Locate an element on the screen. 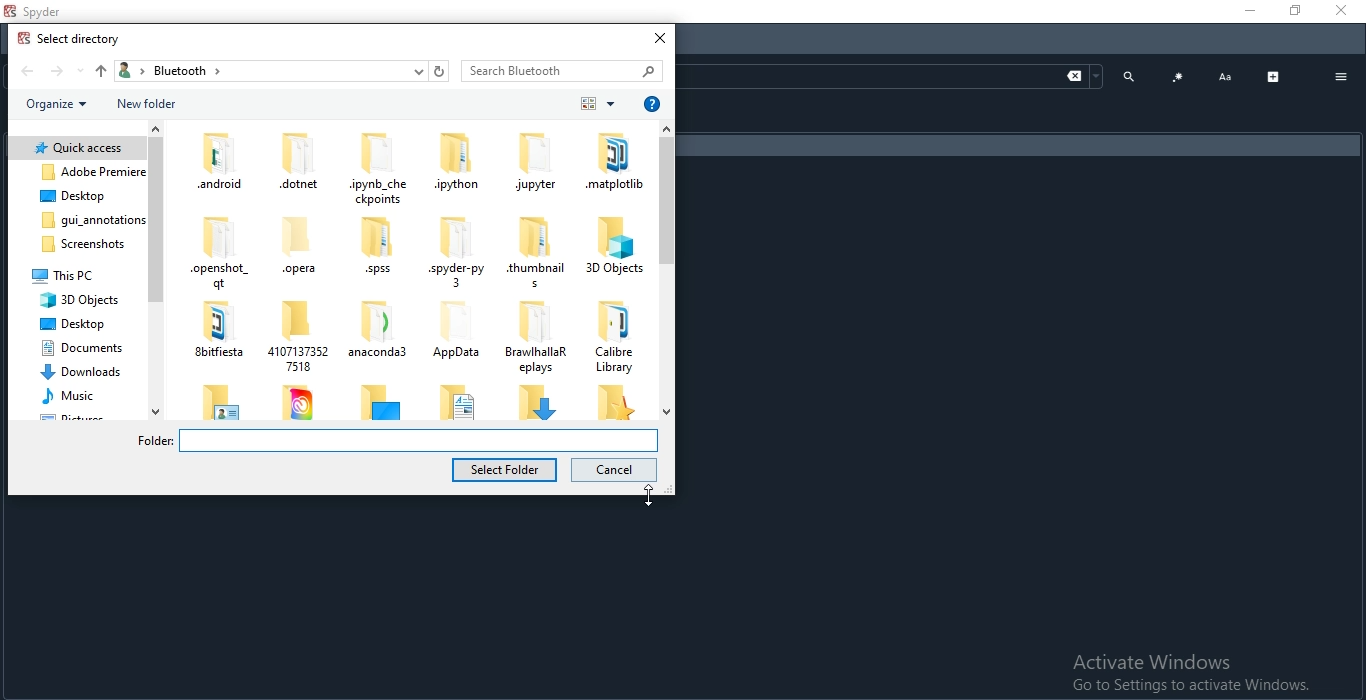  file6 is located at coordinates (77, 274).